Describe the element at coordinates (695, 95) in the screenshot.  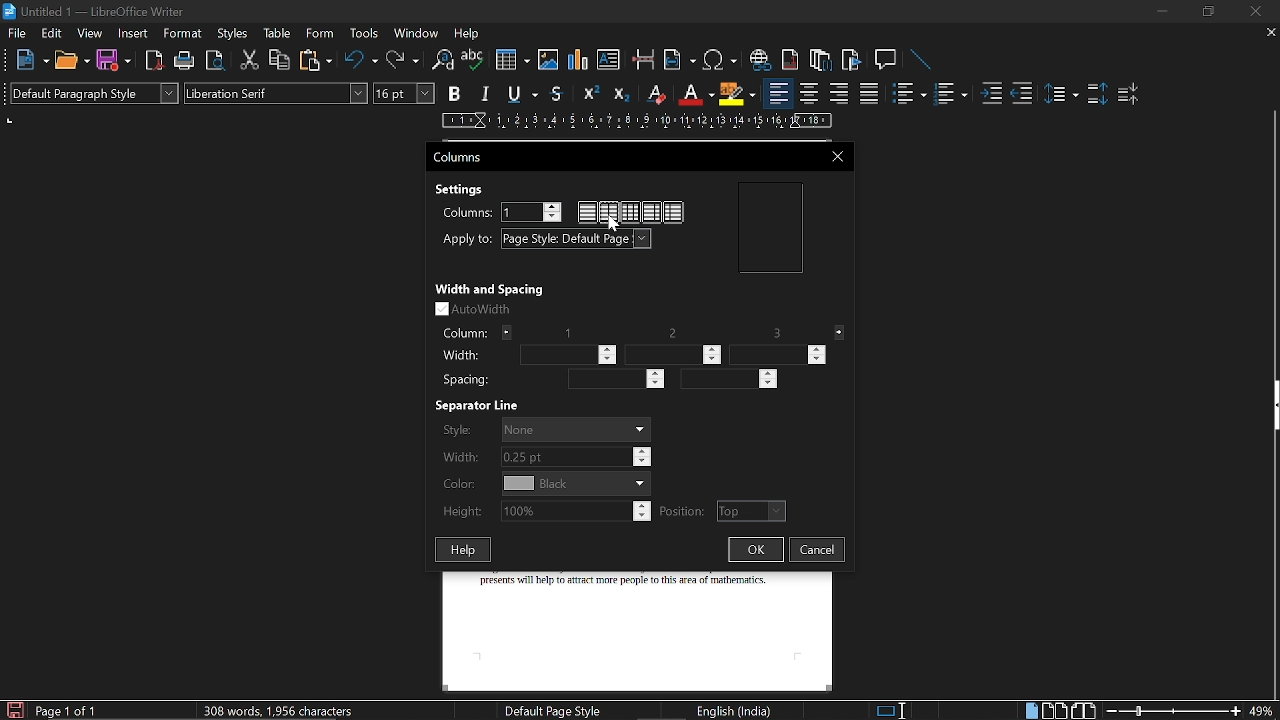
I see `Underline` at that location.